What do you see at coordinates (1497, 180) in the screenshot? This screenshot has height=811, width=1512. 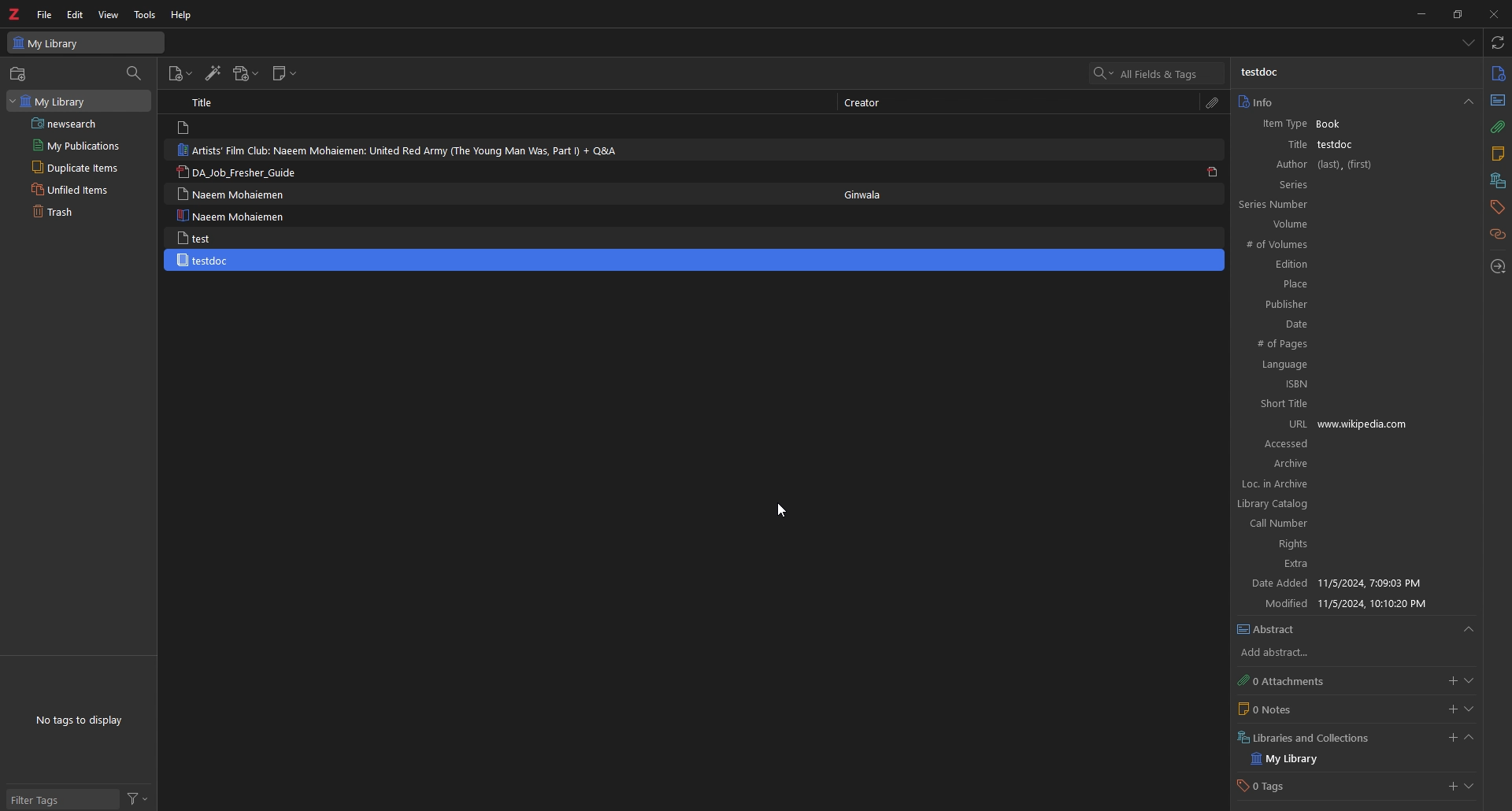 I see `libraries and collection` at bounding box center [1497, 180].